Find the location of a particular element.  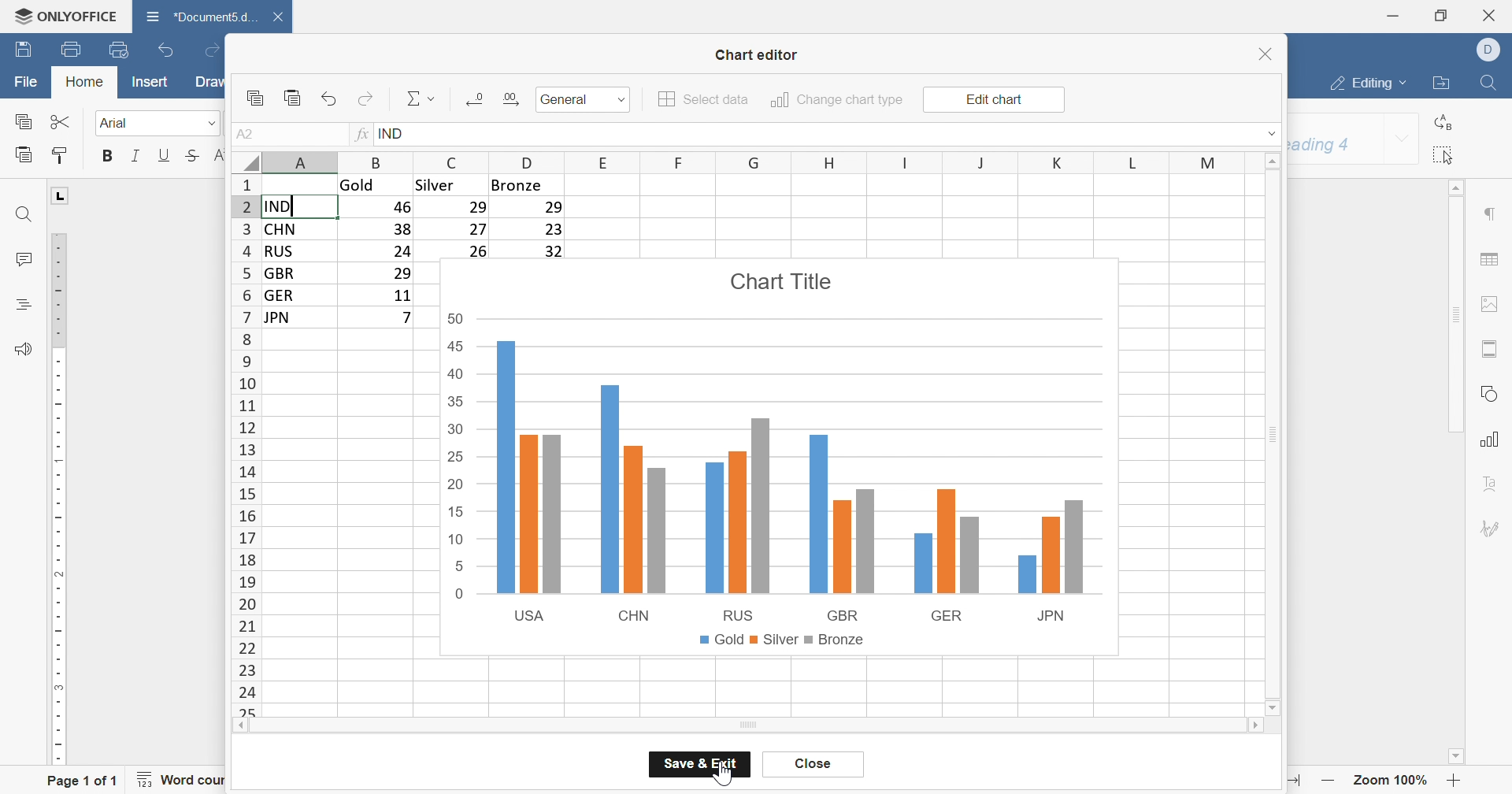

file is located at coordinates (26, 82).